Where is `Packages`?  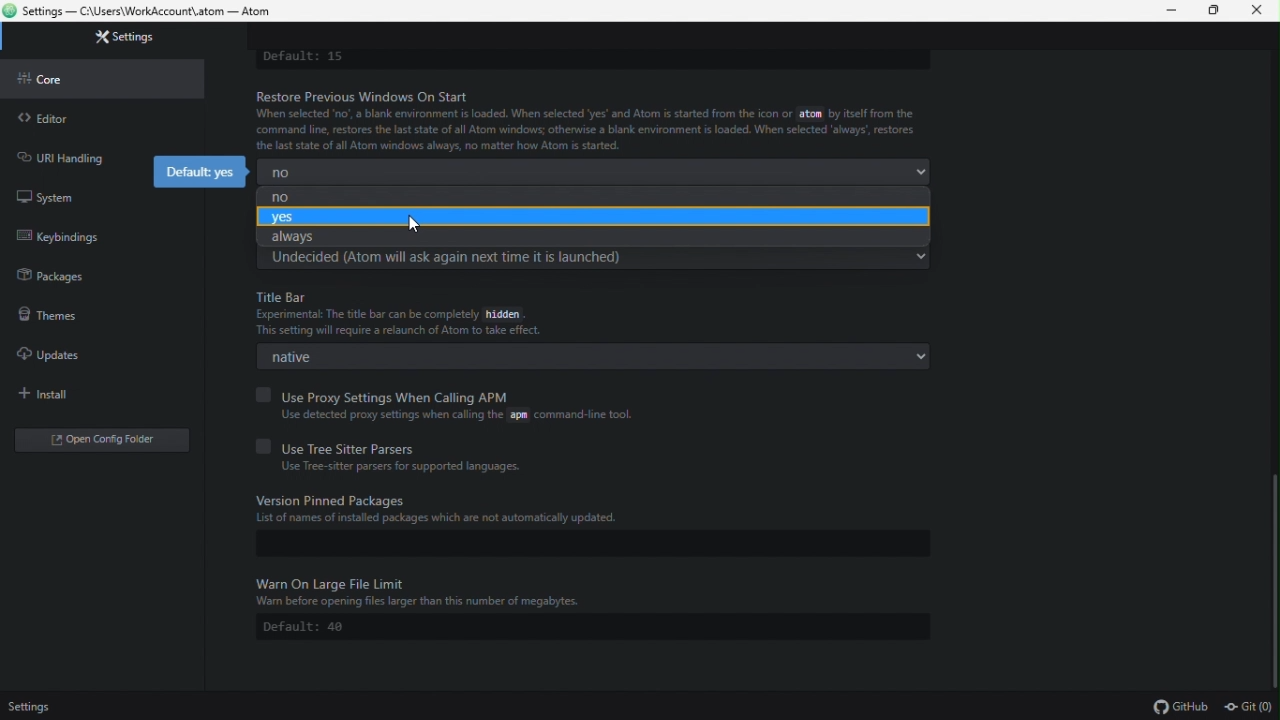
Packages is located at coordinates (52, 280).